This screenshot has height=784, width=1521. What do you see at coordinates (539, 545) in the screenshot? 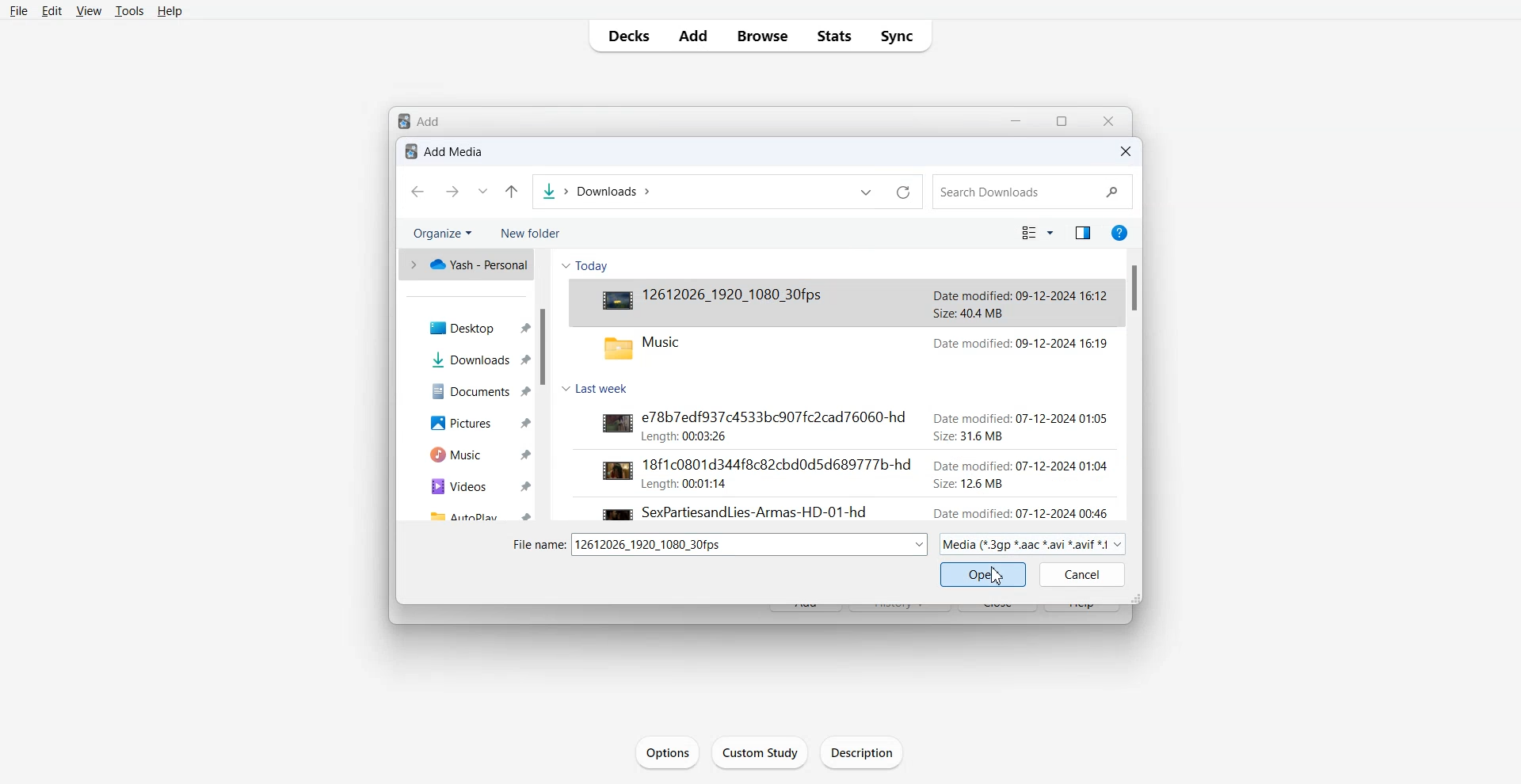
I see `file name:` at bounding box center [539, 545].